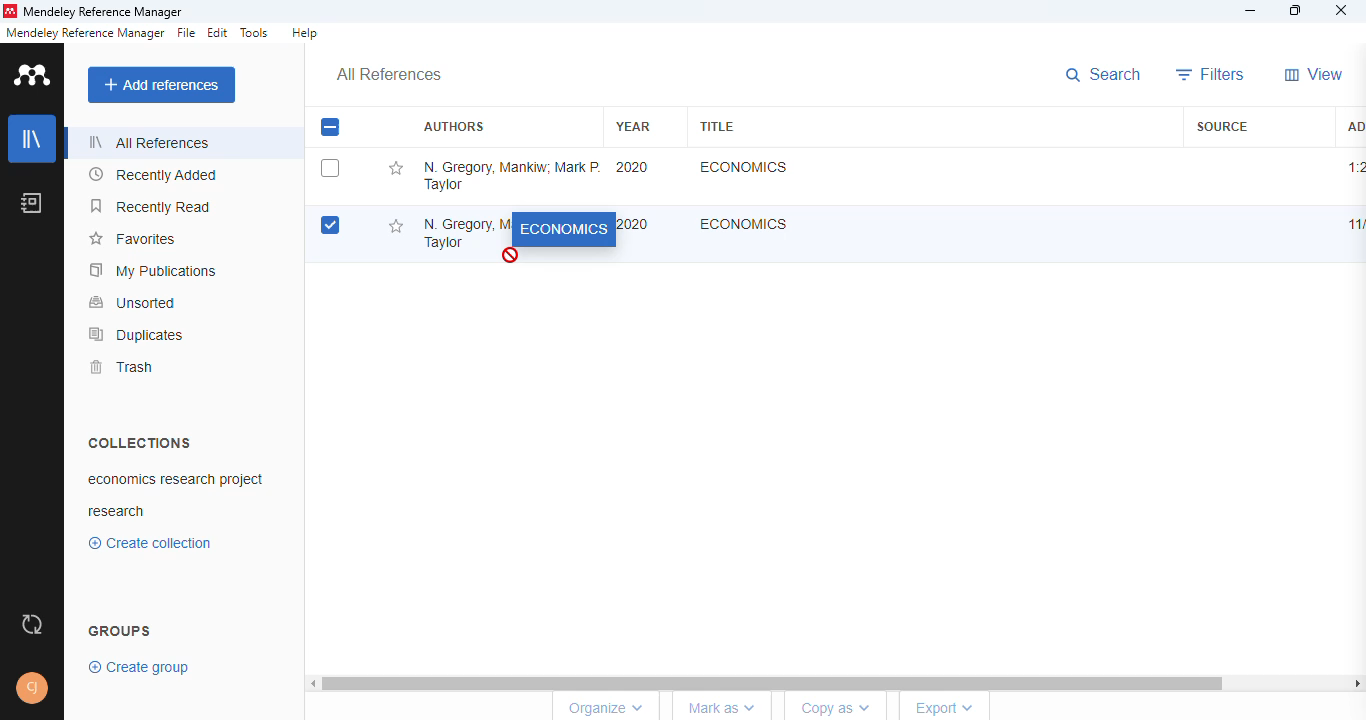 Image resolution: width=1366 pixels, height=720 pixels. I want to click on filters, so click(1211, 74).